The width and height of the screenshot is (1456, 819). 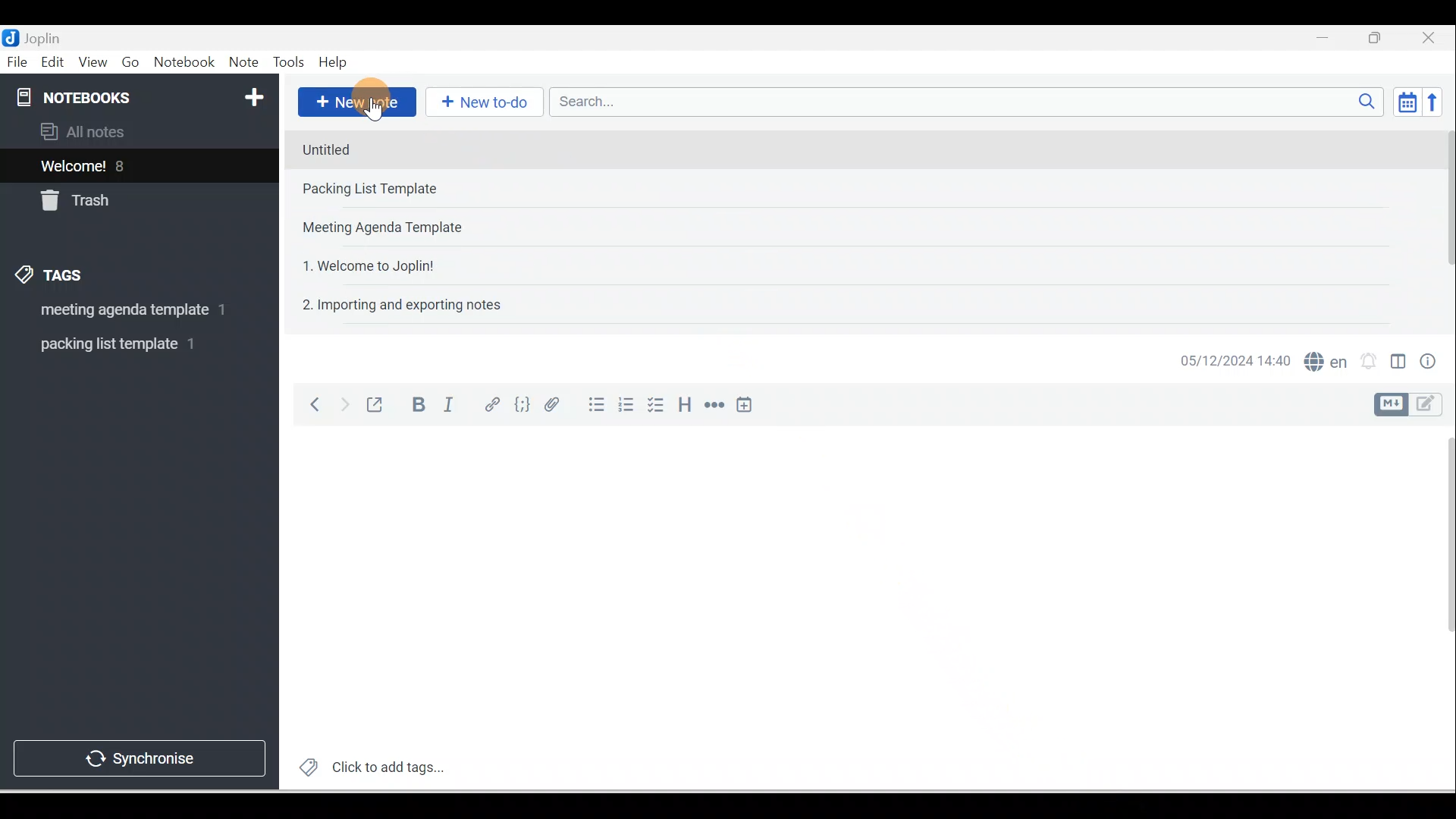 What do you see at coordinates (593, 404) in the screenshot?
I see `Bulleted list` at bounding box center [593, 404].